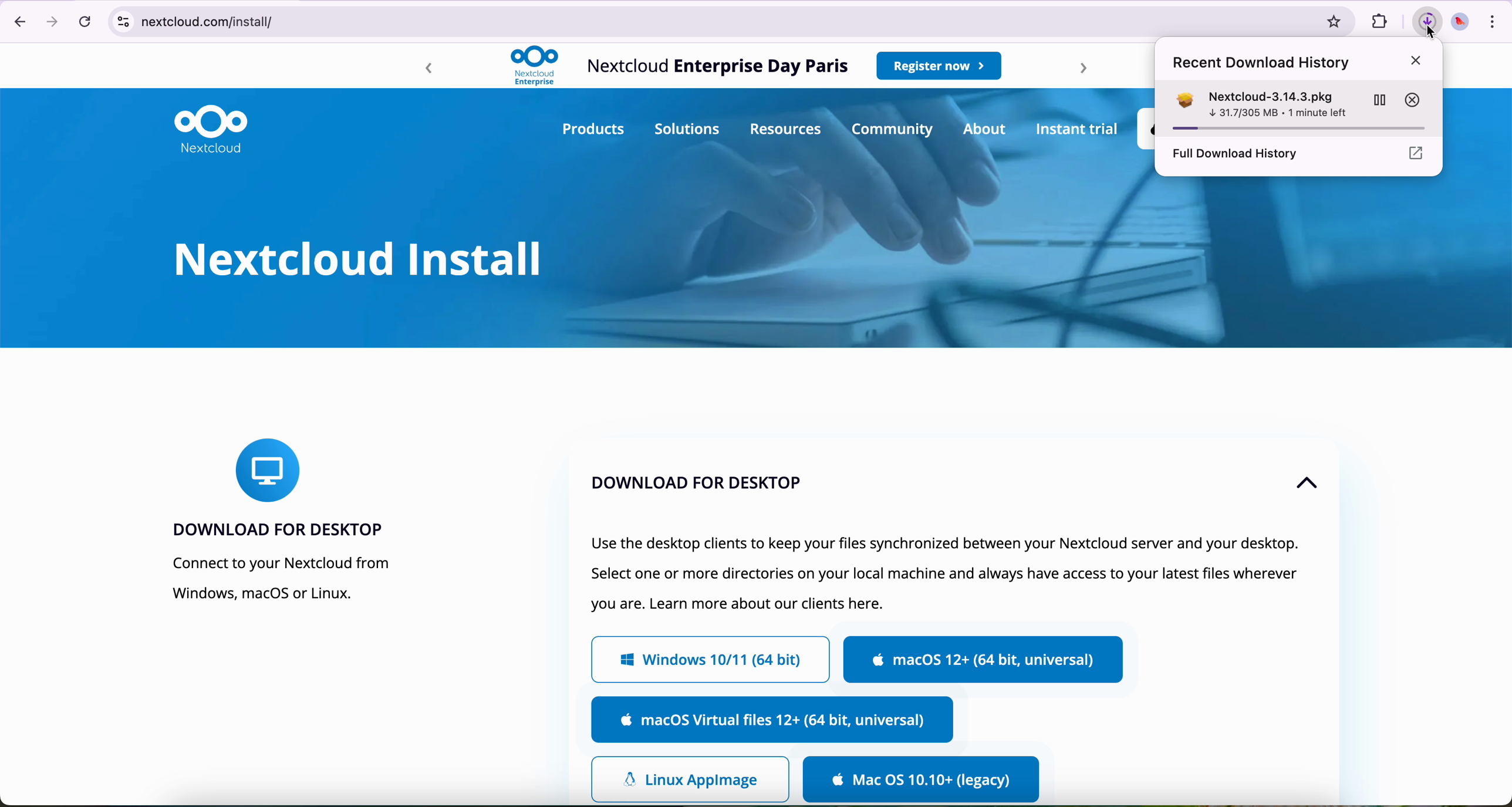  Describe the element at coordinates (212, 127) in the screenshot. I see `Nextcloud logo` at that location.